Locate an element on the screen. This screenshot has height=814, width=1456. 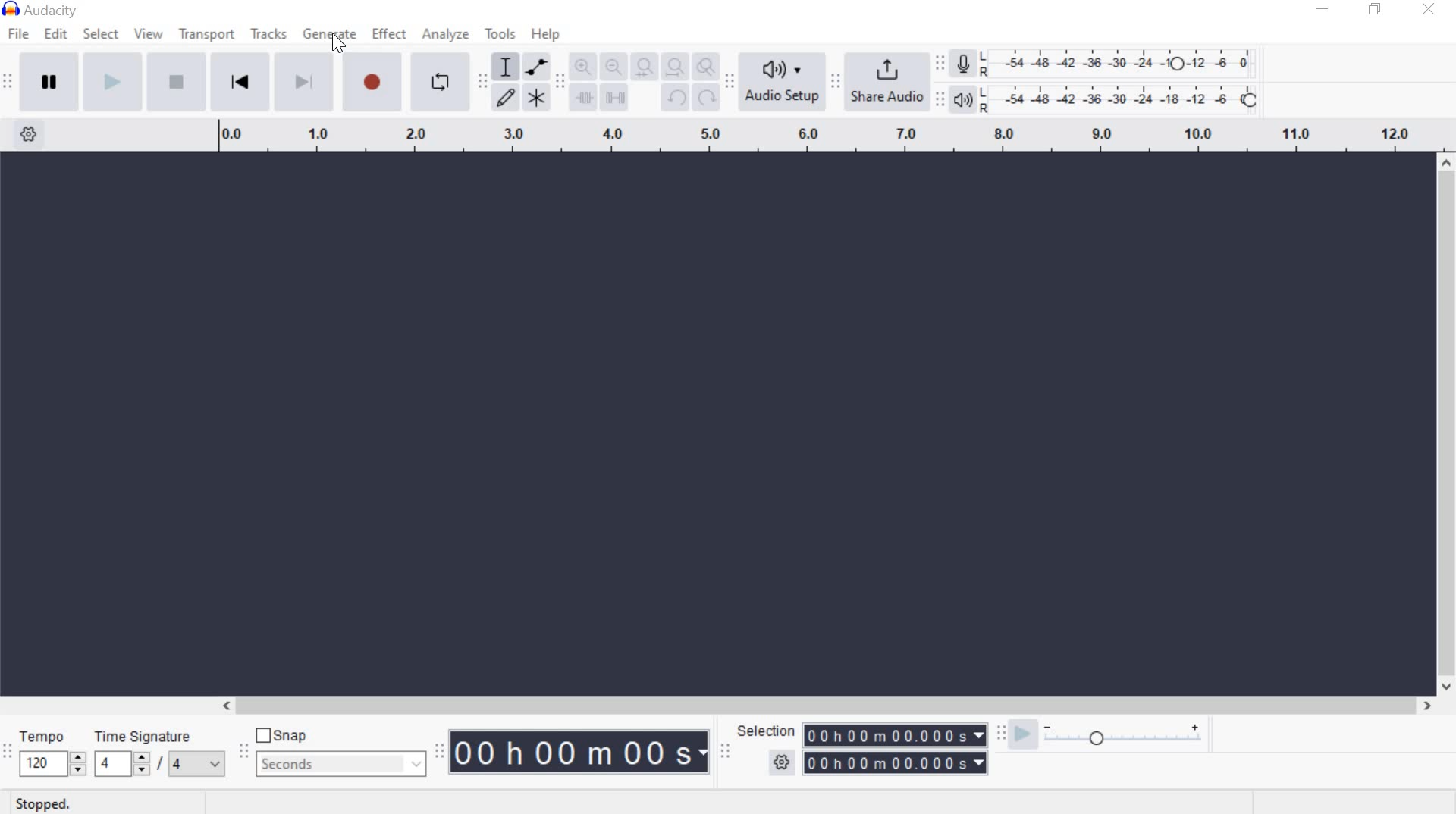
snap is located at coordinates (281, 734).